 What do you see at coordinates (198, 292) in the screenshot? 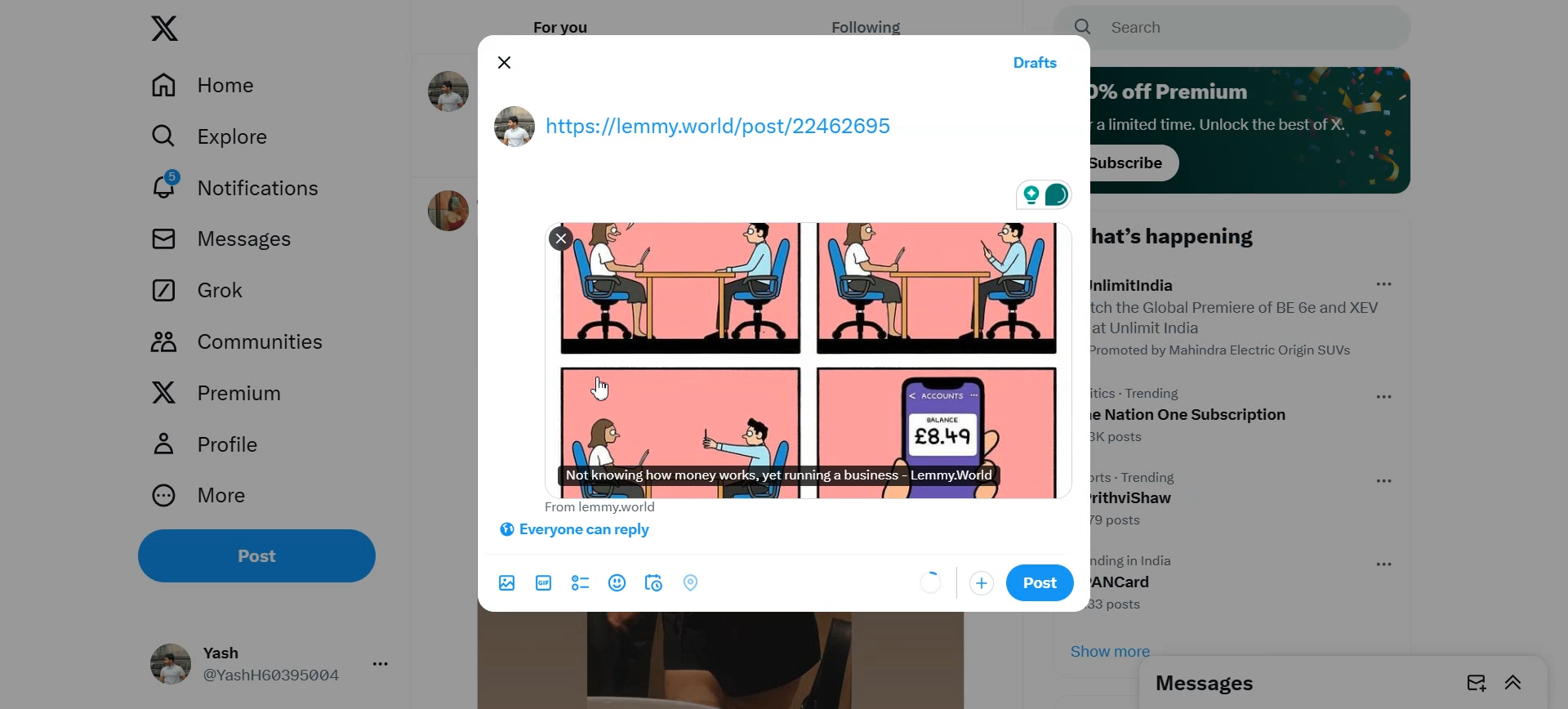
I see `grok` at bounding box center [198, 292].